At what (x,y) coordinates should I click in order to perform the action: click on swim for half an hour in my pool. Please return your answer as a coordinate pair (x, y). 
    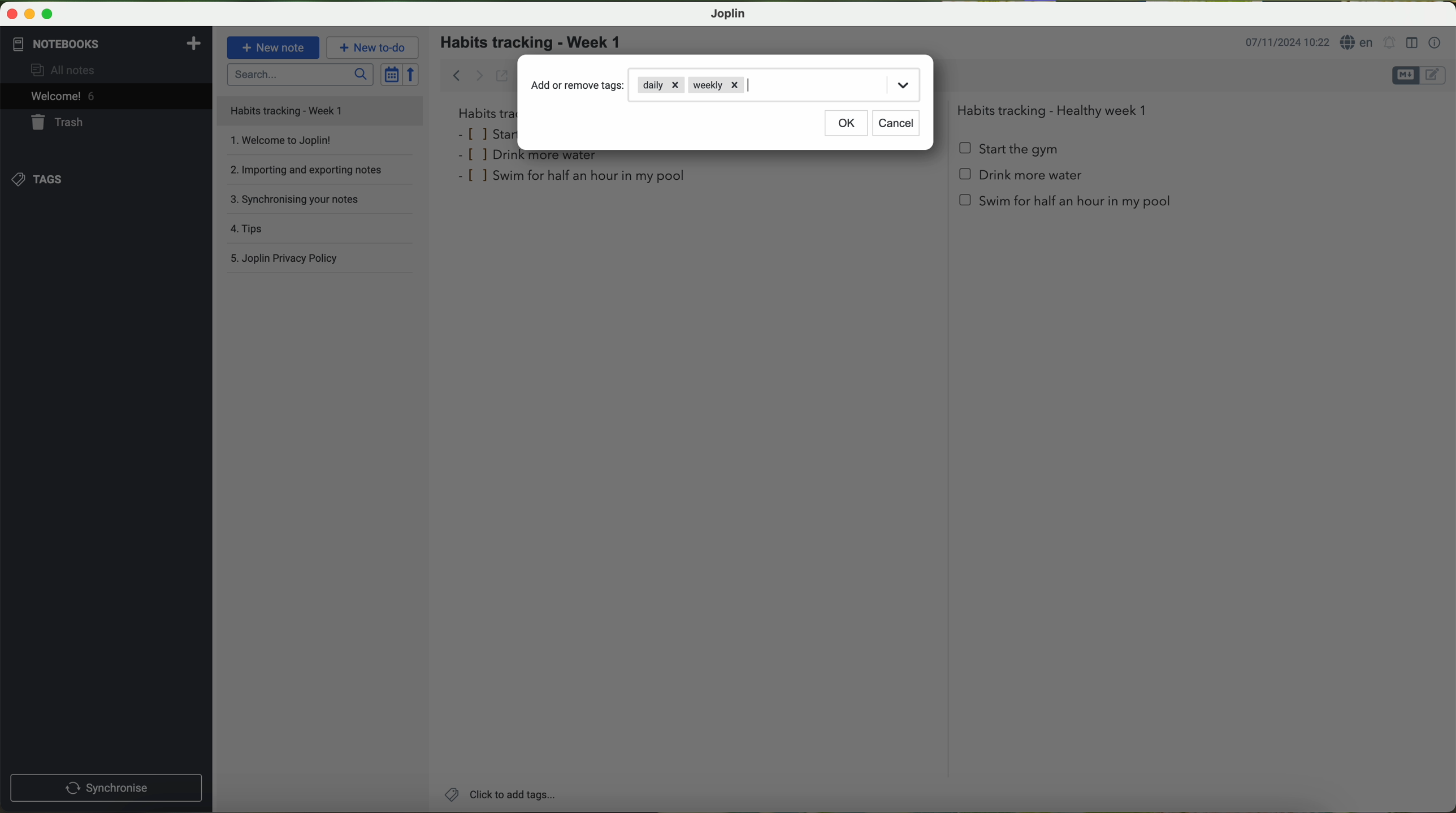
    Looking at the image, I should click on (1067, 205).